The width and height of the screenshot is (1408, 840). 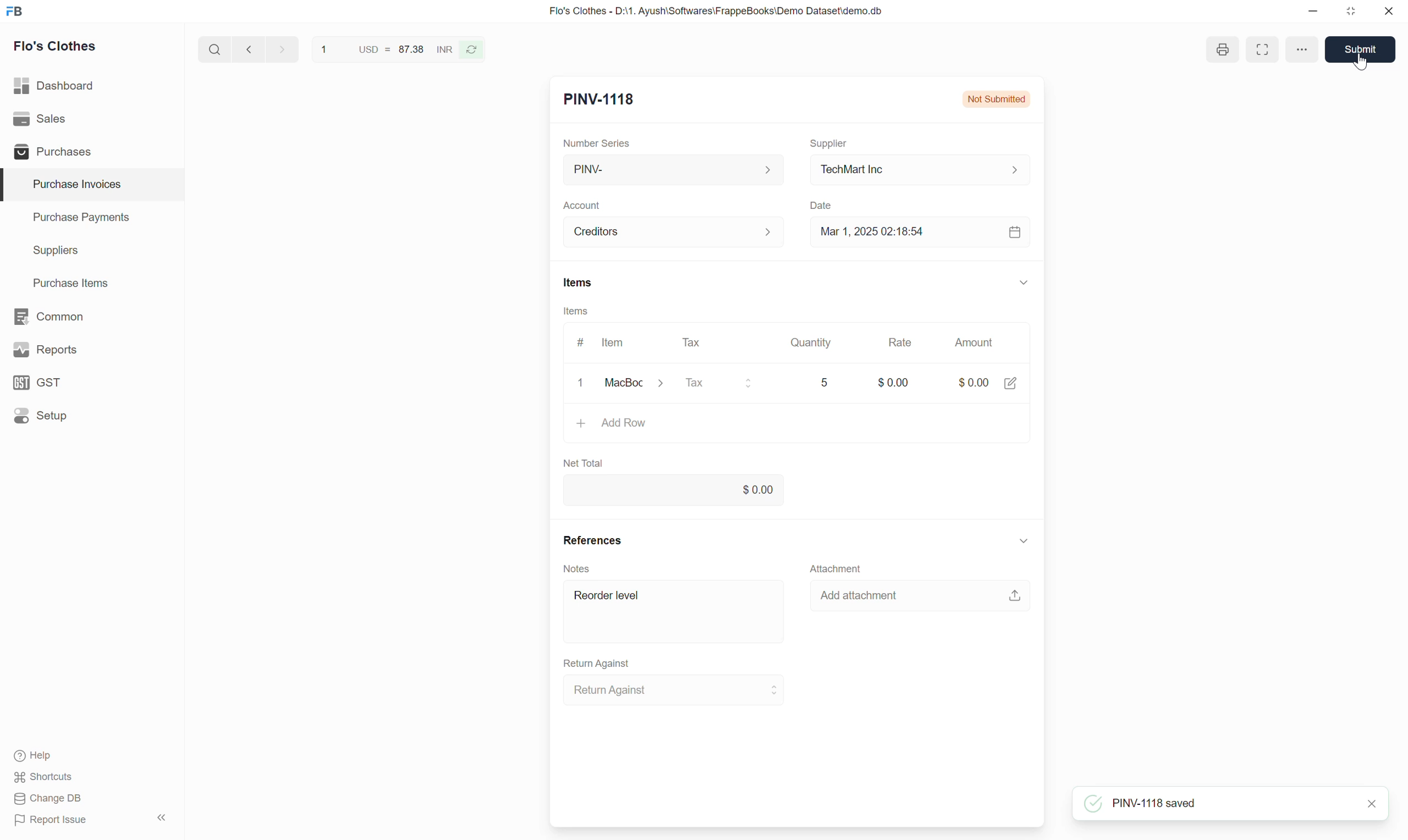 I want to click on Tax, so click(x=724, y=384).